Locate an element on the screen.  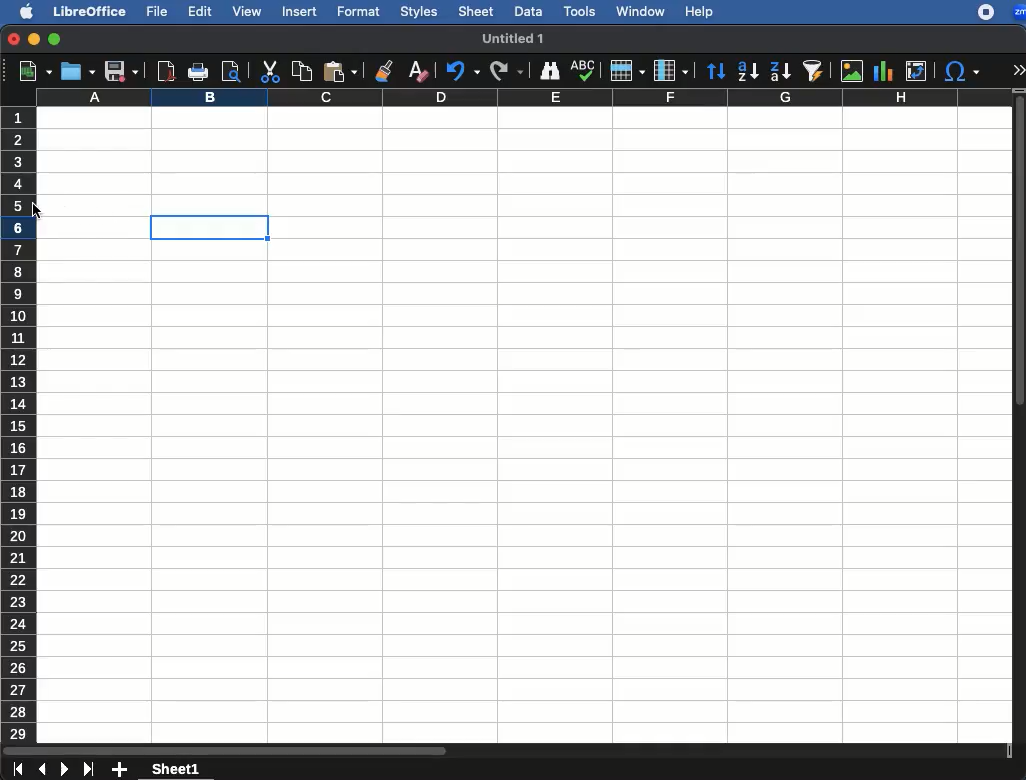
pdf reader is located at coordinates (165, 71).